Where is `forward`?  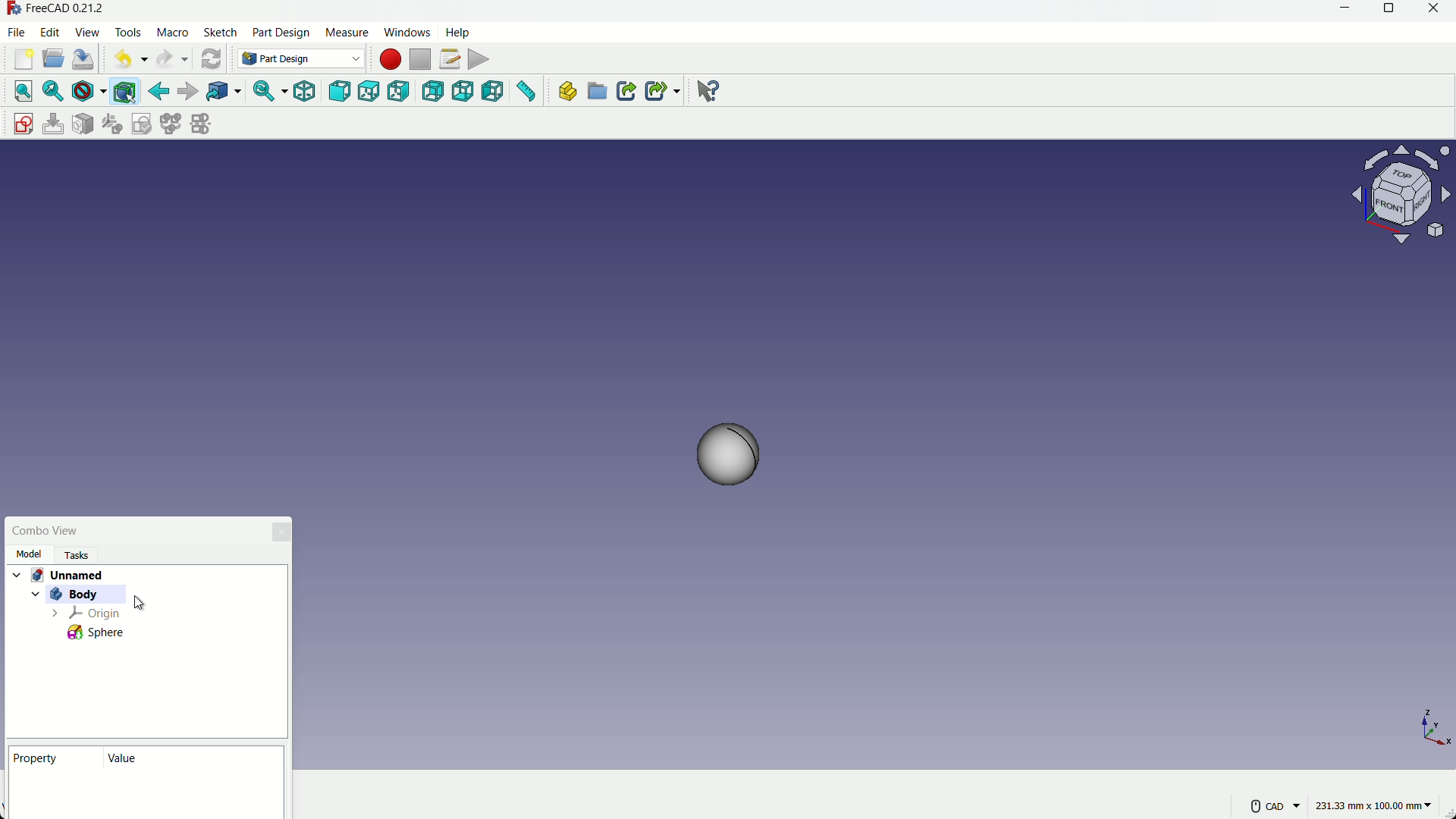
forward is located at coordinates (189, 90).